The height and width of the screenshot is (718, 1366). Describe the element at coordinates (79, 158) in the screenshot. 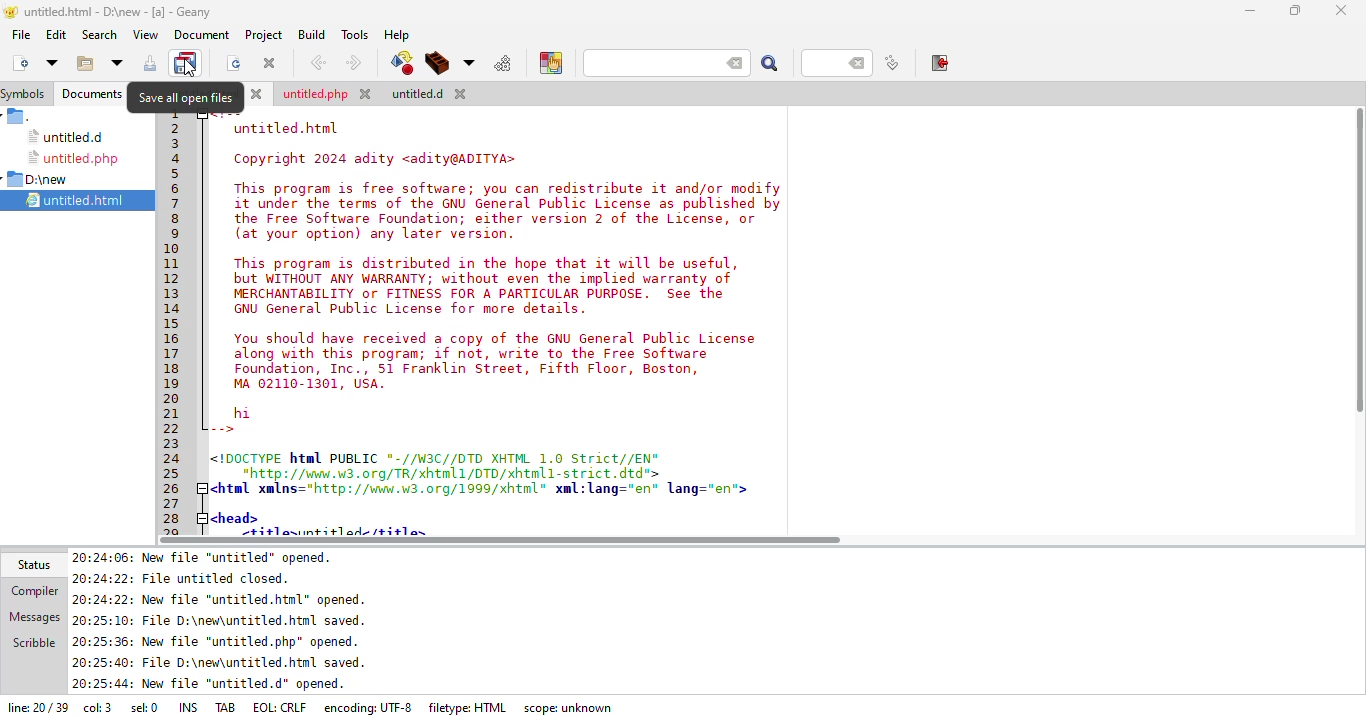

I see `untitled` at that location.